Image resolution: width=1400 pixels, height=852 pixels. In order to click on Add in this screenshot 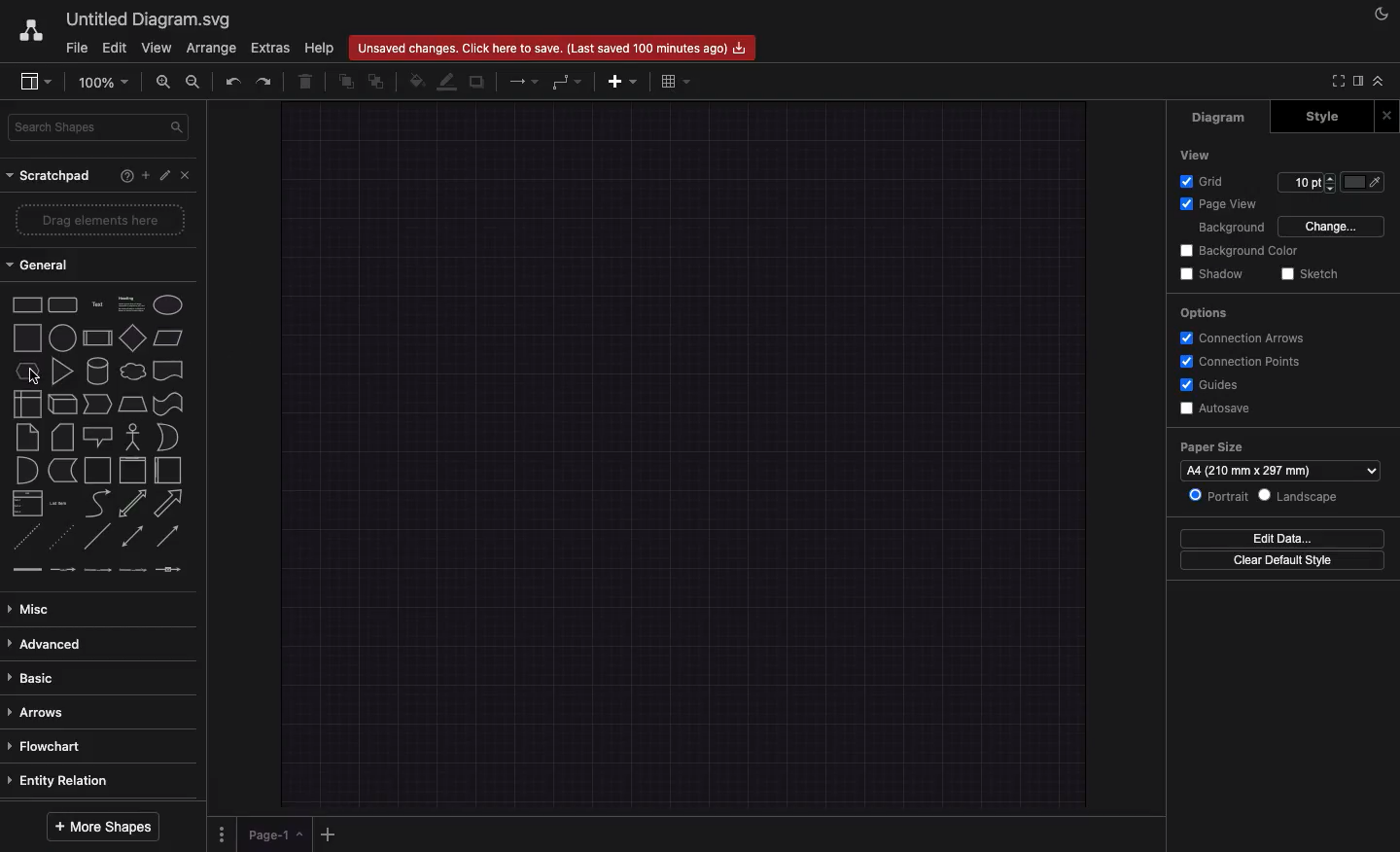, I will do `click(149, 177)`.